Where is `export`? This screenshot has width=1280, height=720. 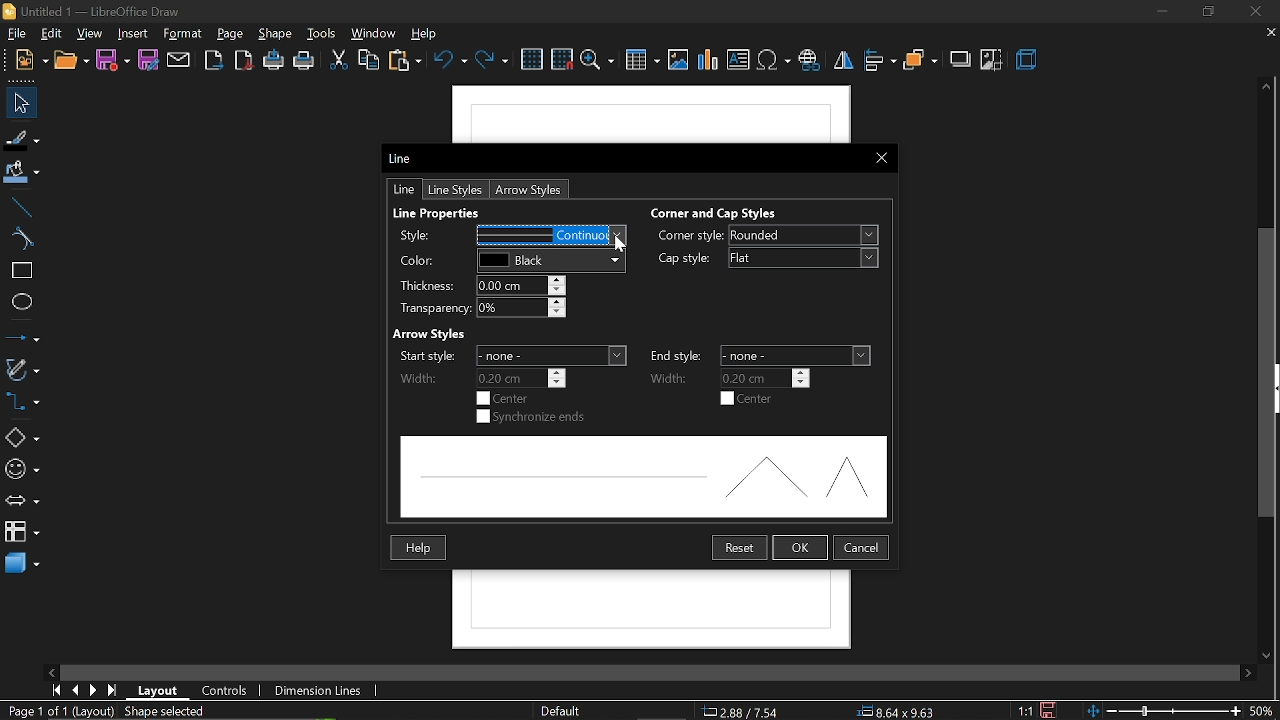
export is located at coordinates (211, 60).